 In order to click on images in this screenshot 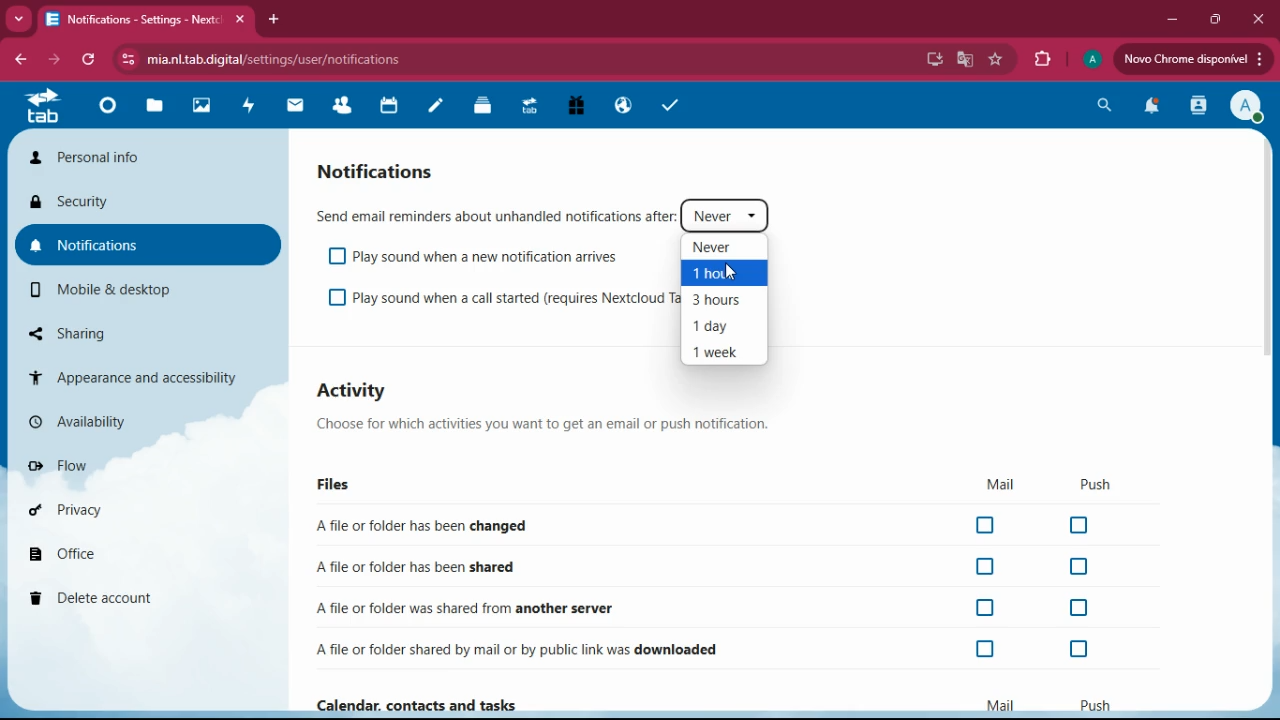, I will do `click(201, 107)`.